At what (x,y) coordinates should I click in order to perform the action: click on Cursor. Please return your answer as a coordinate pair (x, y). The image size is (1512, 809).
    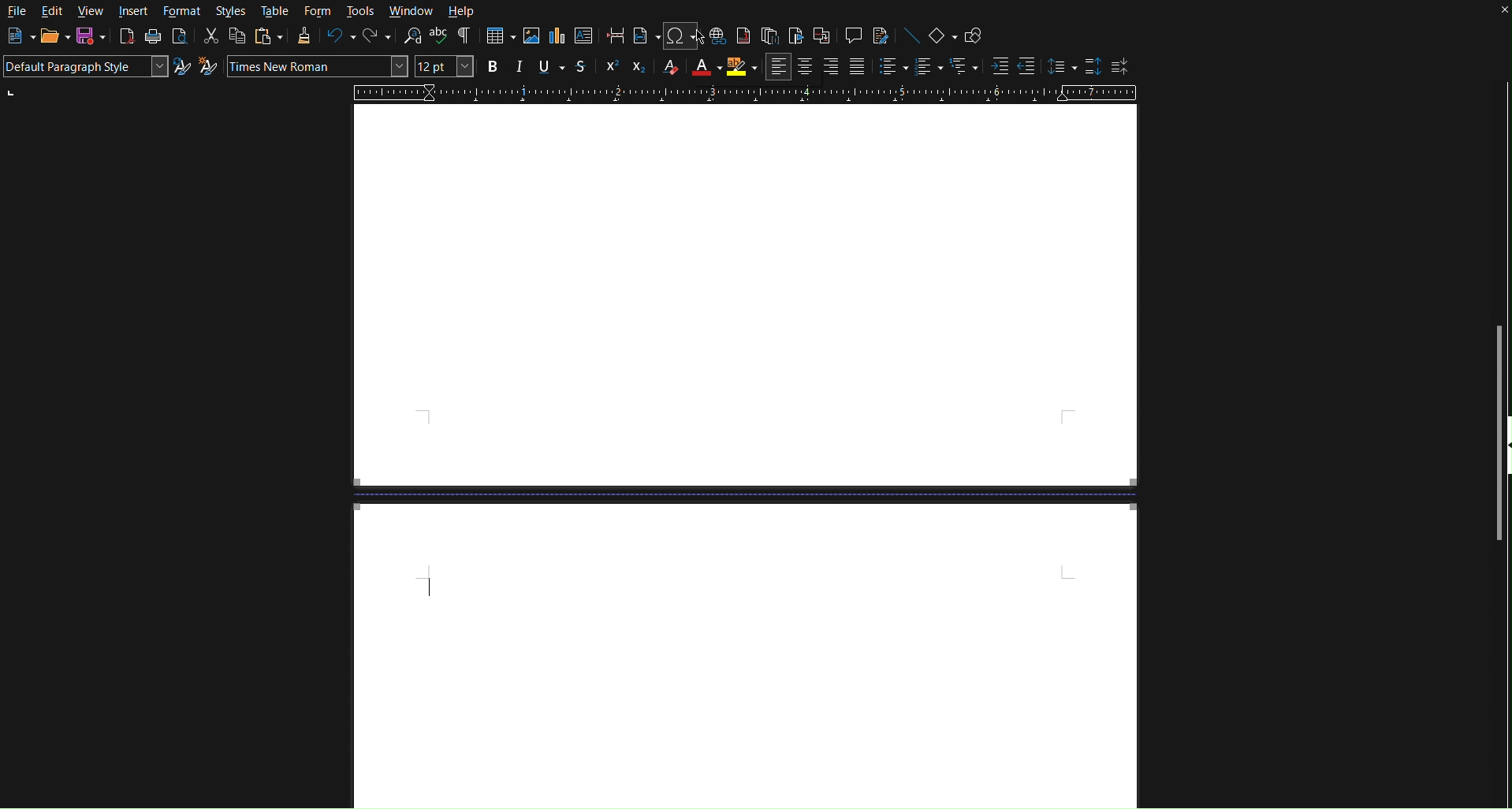
    Looking at the image, I should click on (695, 38).